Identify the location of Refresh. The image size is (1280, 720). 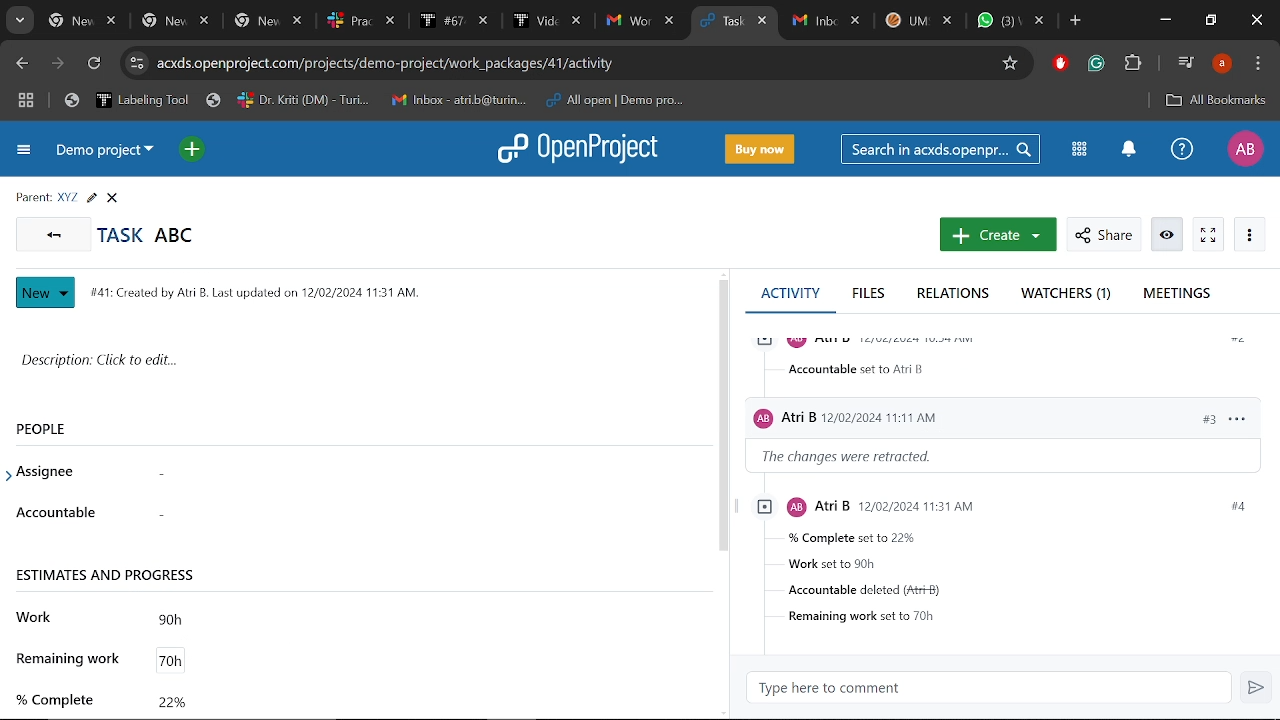
(93, 65).